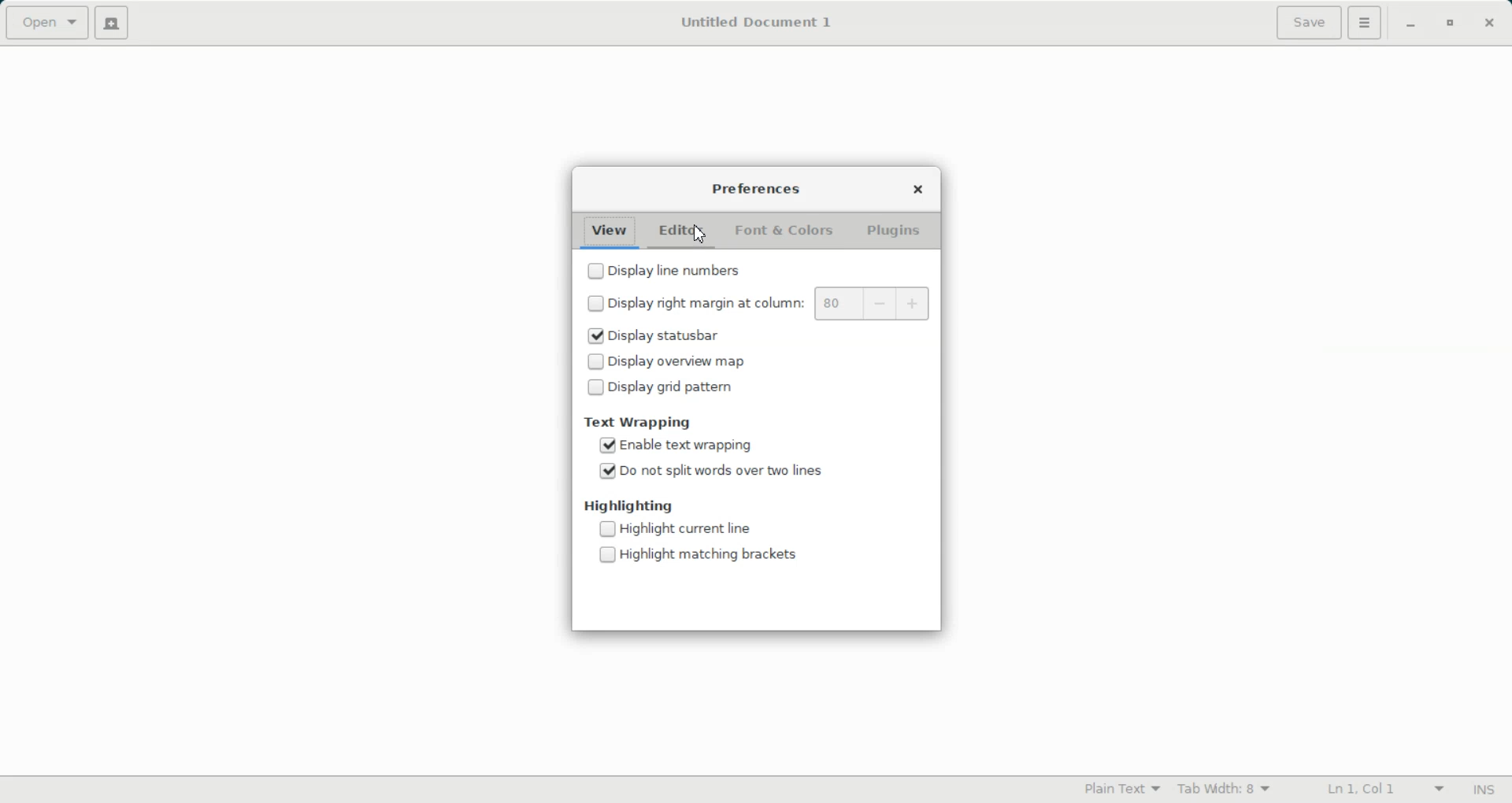  Describe the element at coordinates (681, 361) in the screenshot. I see `(un)check Display overview map` at that location.